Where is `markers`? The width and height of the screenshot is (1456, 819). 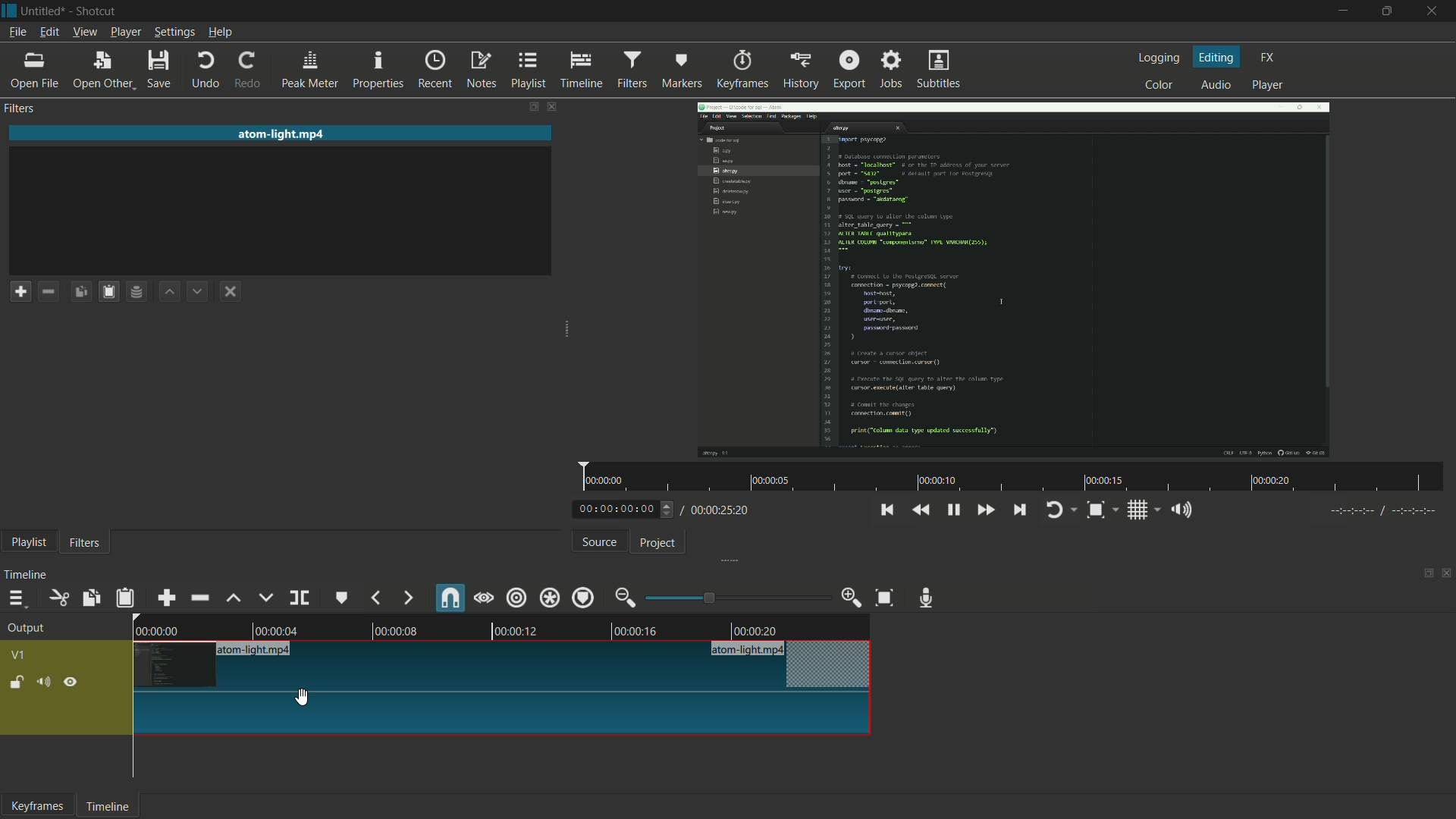 markers is located at coordinates (682, 69).